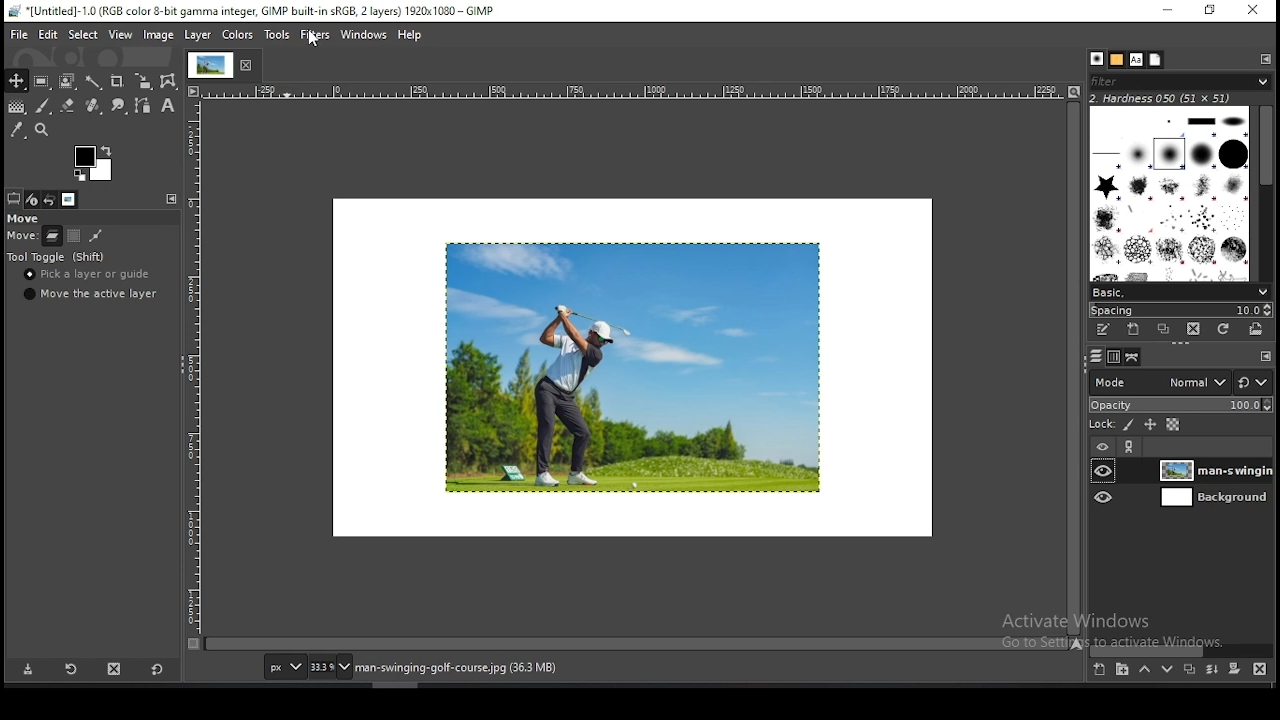  Describe the element at coordinates (1076, 368) in the screenshot. I see `scroll bar` at that location.